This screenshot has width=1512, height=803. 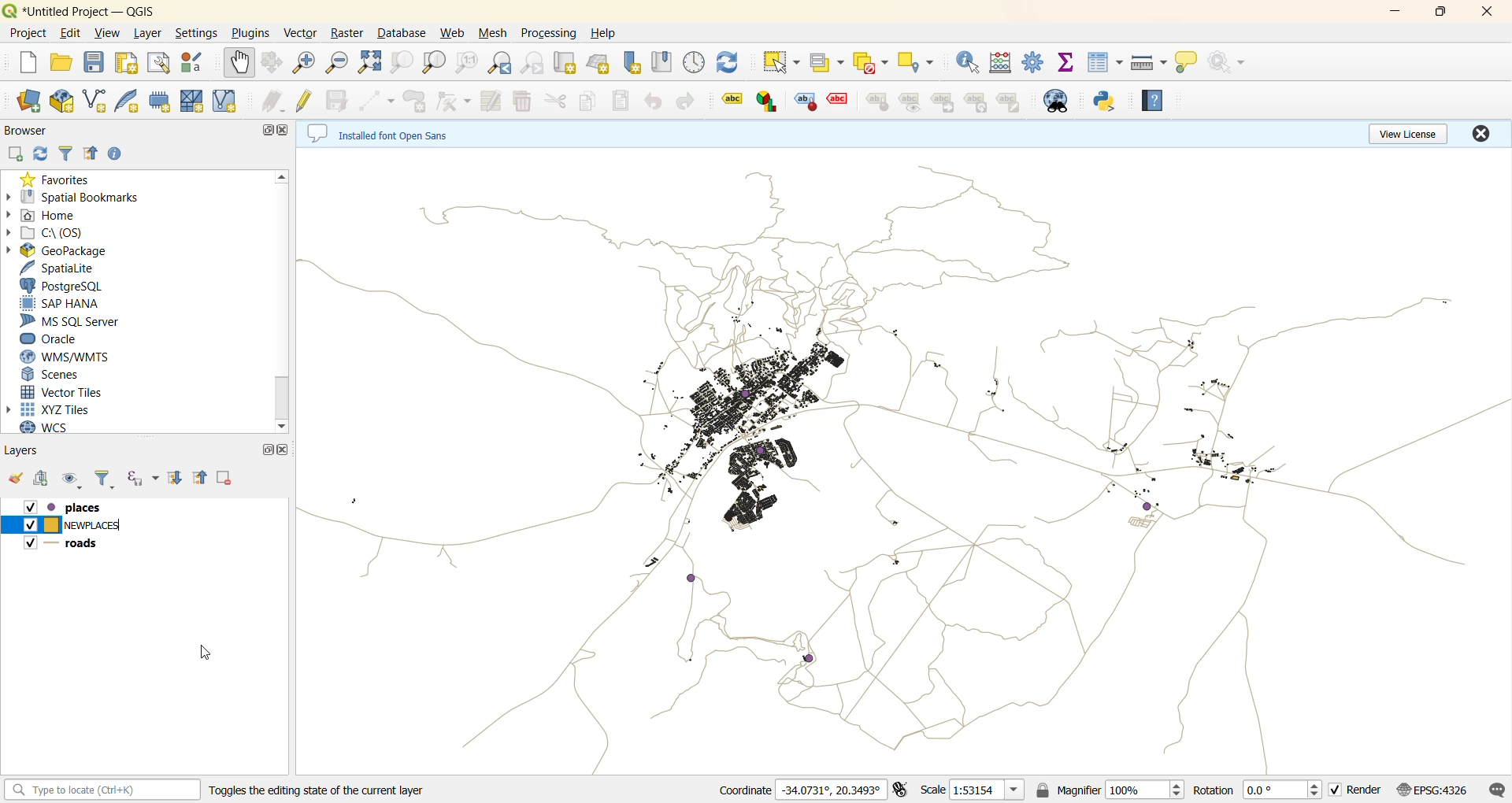 What do you see at coordinates (91, 10) in the screenshot?
I see `file name and app name` at bounding box center [91, 10].